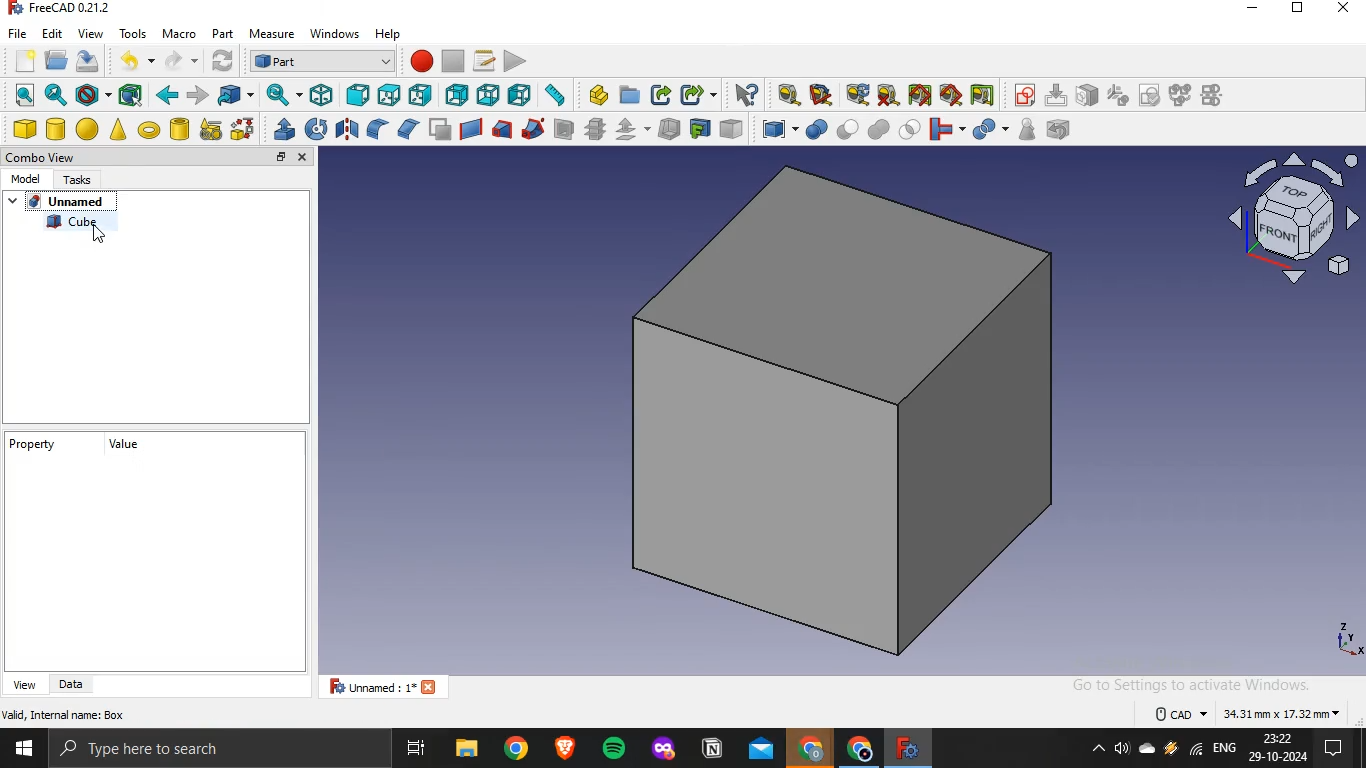  Describe the element at coordinates (304, 158) in the screenshot. I see `close` at that location.